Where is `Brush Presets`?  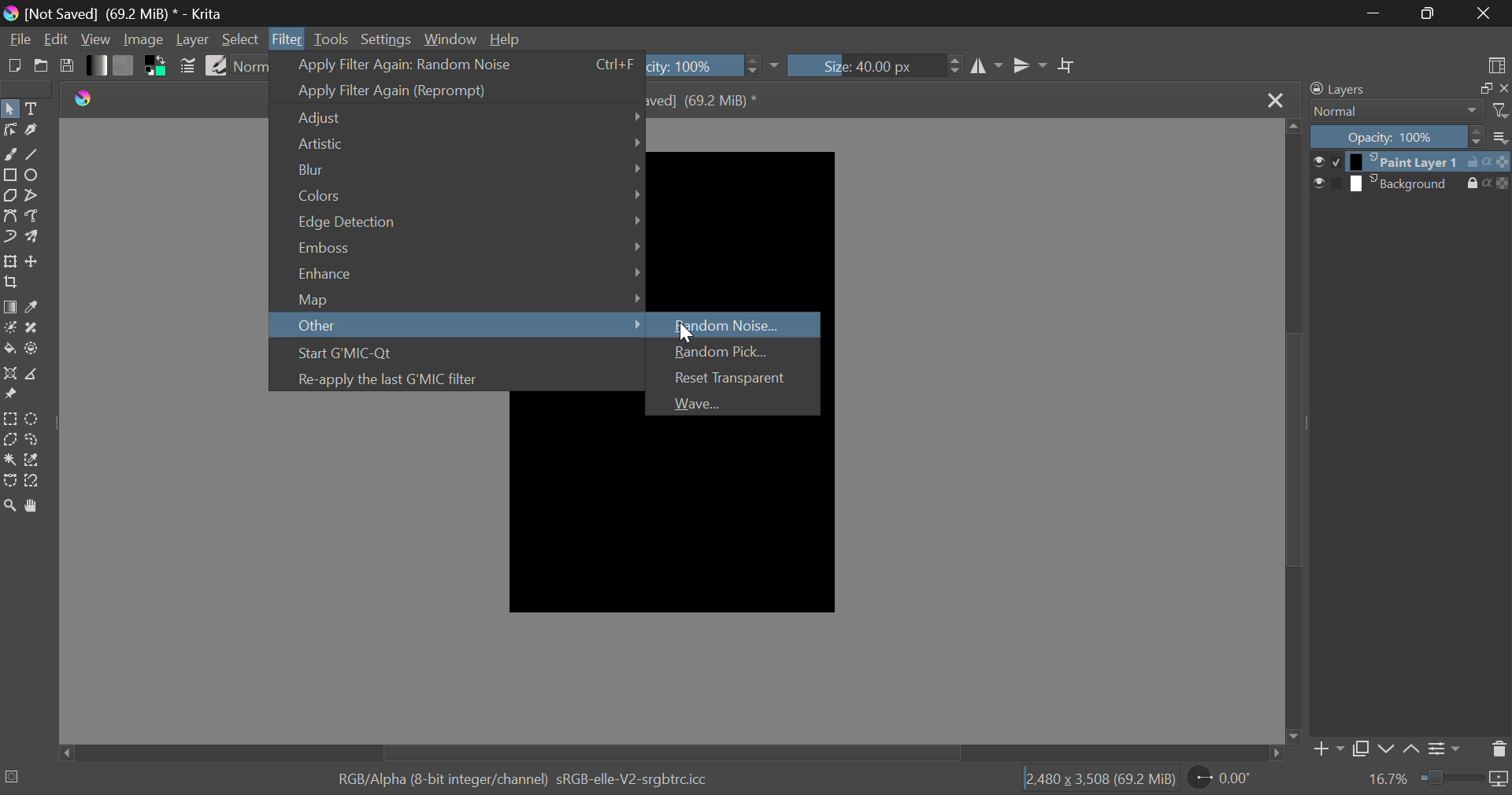
Brush Presets is located at coordinates (216, 65).